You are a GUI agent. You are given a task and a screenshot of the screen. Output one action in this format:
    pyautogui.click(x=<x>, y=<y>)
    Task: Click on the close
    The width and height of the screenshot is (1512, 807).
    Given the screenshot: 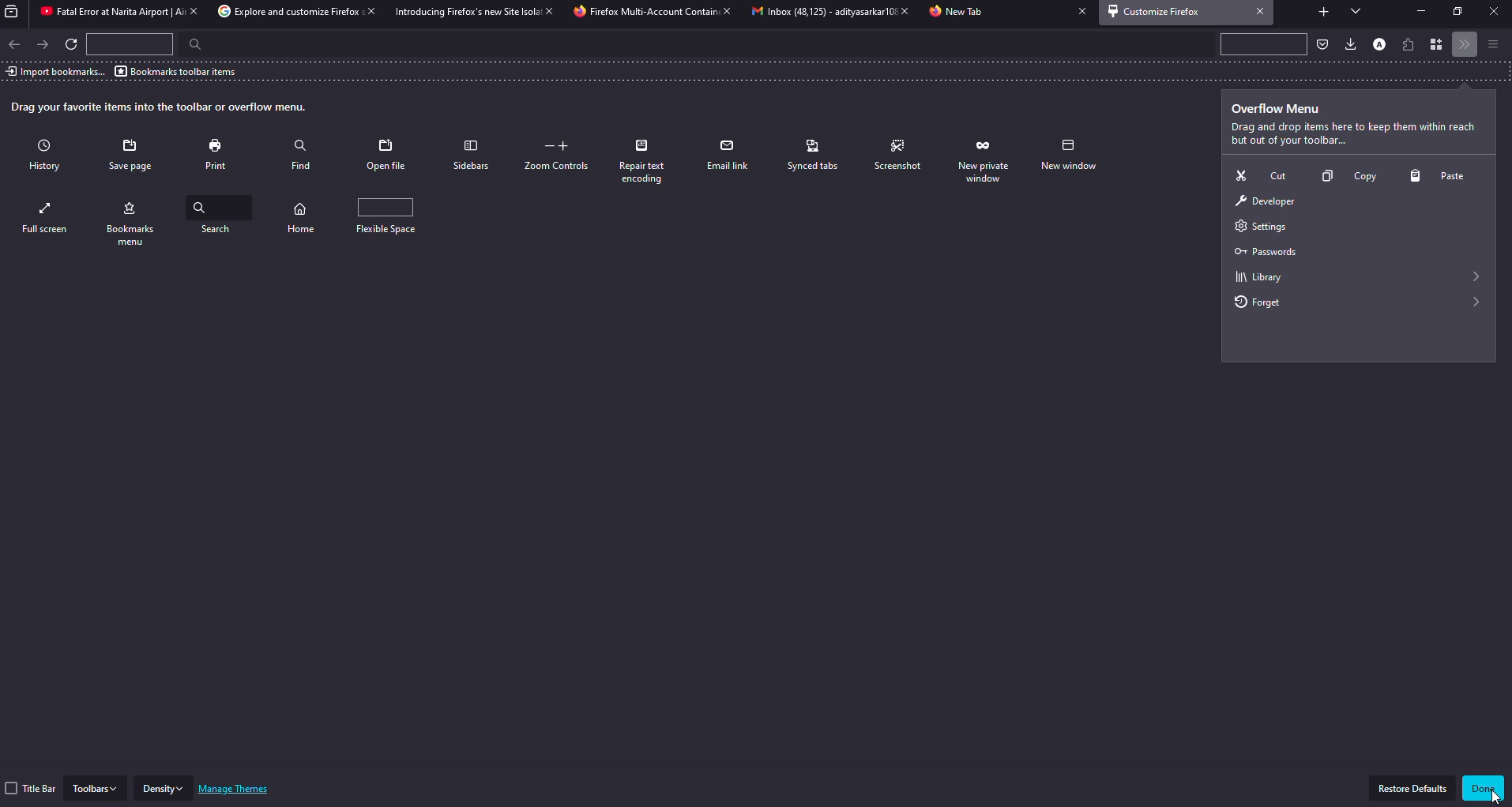 What is the action you would take?
    pyautogui.click(x=367, y=12)
    